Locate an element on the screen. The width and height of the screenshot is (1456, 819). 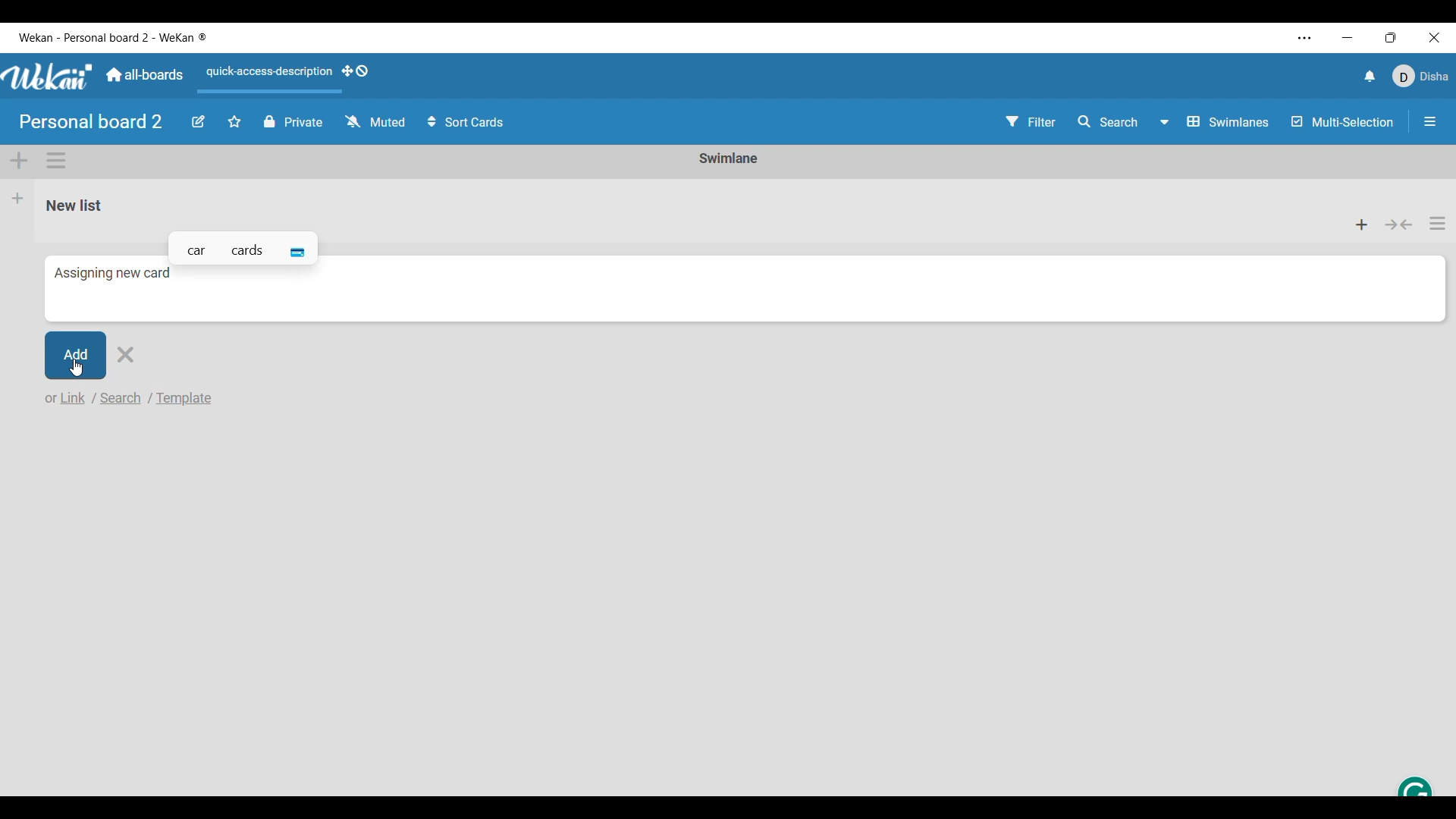
Add list is located at coordinates (18, 198).